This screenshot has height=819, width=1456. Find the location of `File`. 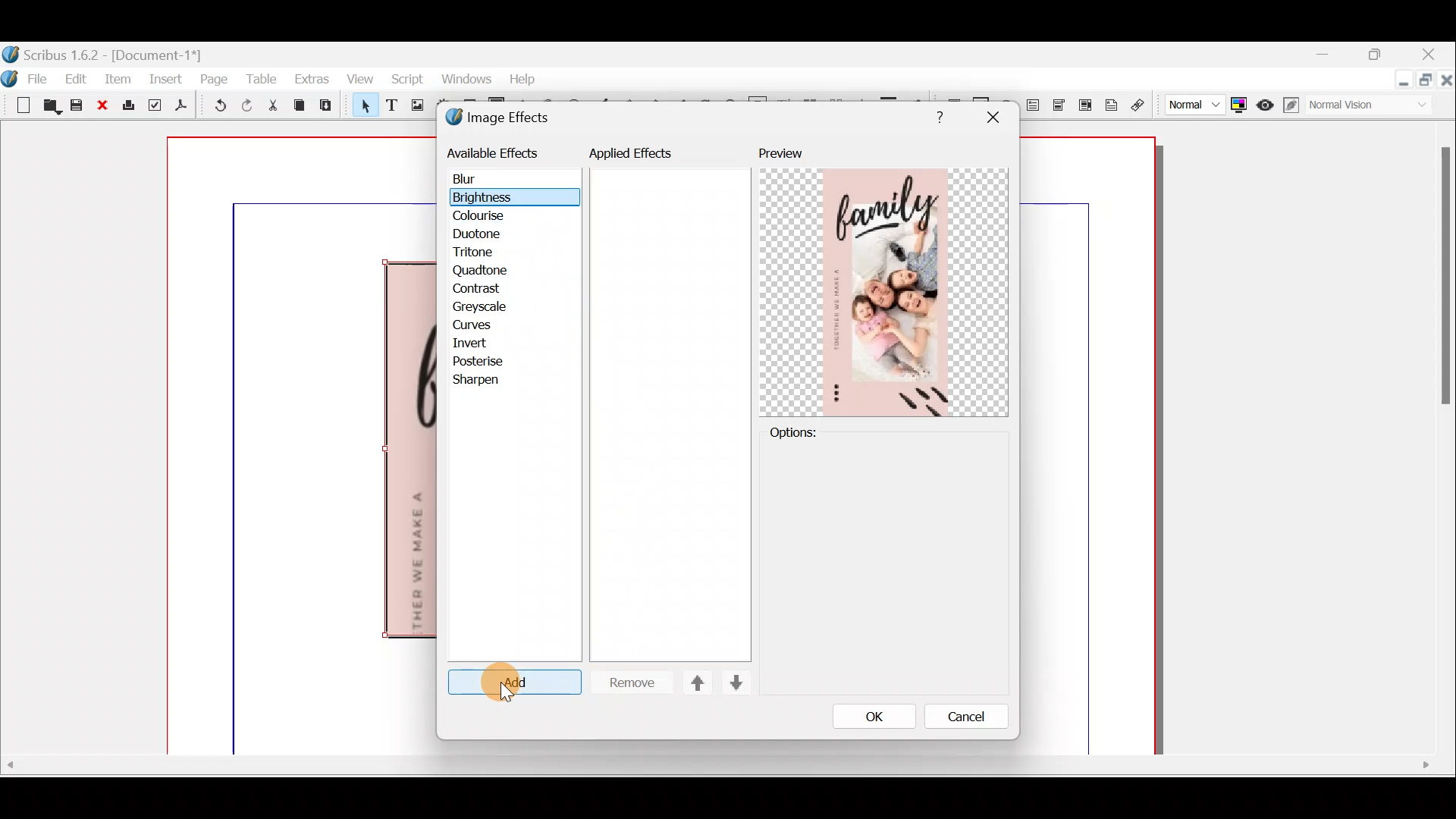

File is located at coordinates (44, 78).